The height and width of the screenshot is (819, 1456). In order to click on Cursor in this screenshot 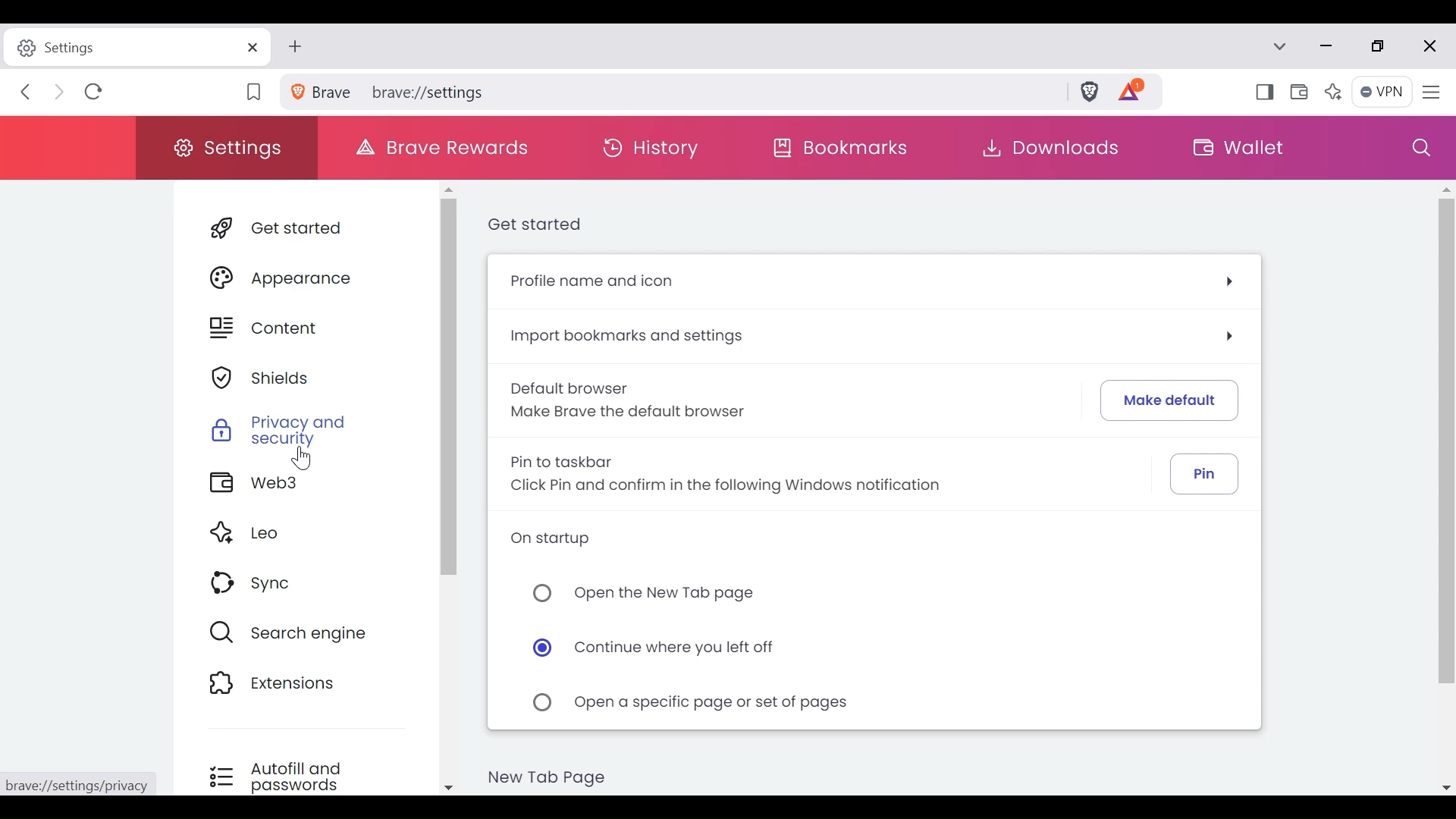, I will do `click(303, 458)`.